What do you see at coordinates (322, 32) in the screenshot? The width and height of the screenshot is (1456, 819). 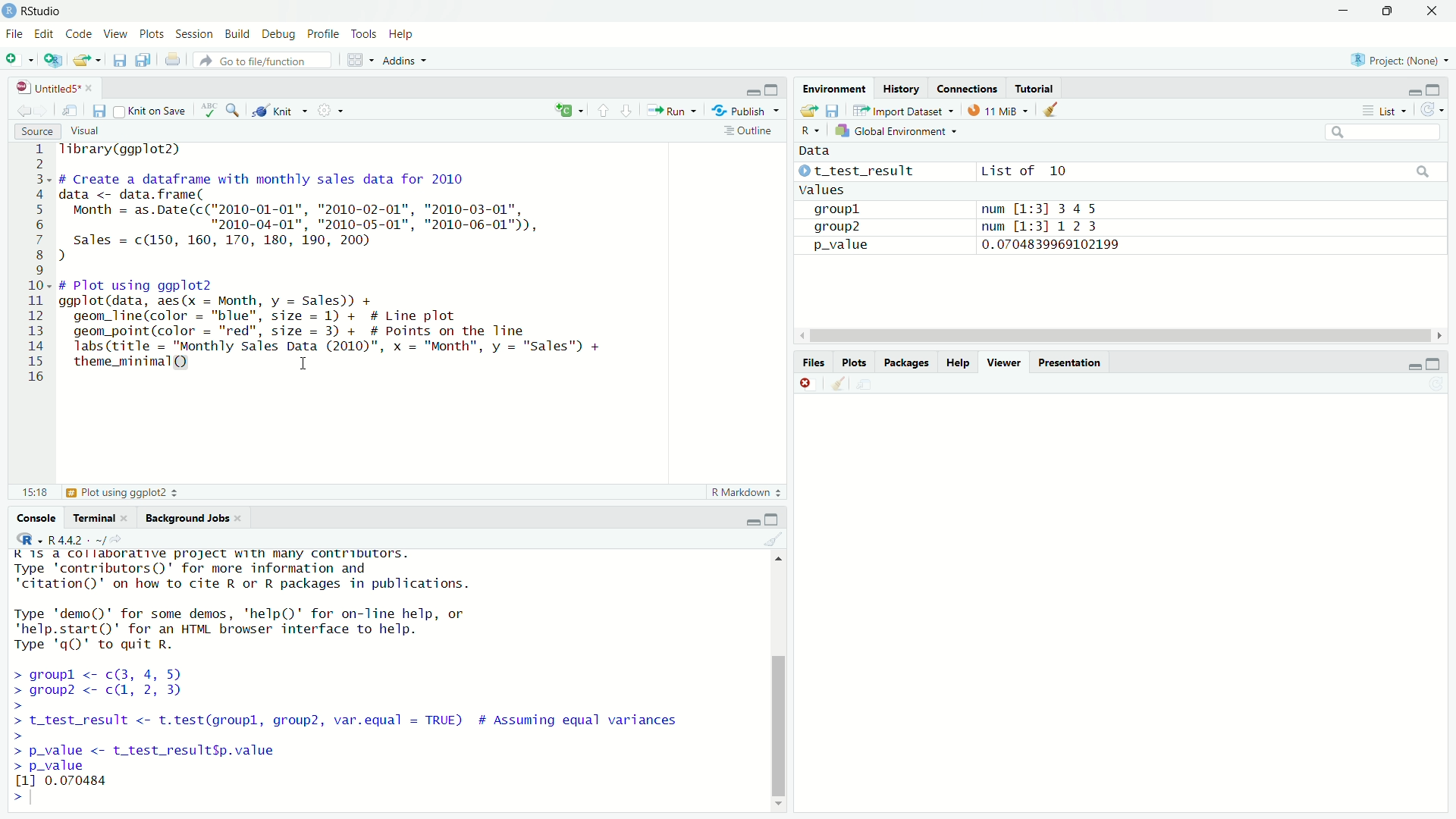 I see `Profile` at bounding box center [322, 32].